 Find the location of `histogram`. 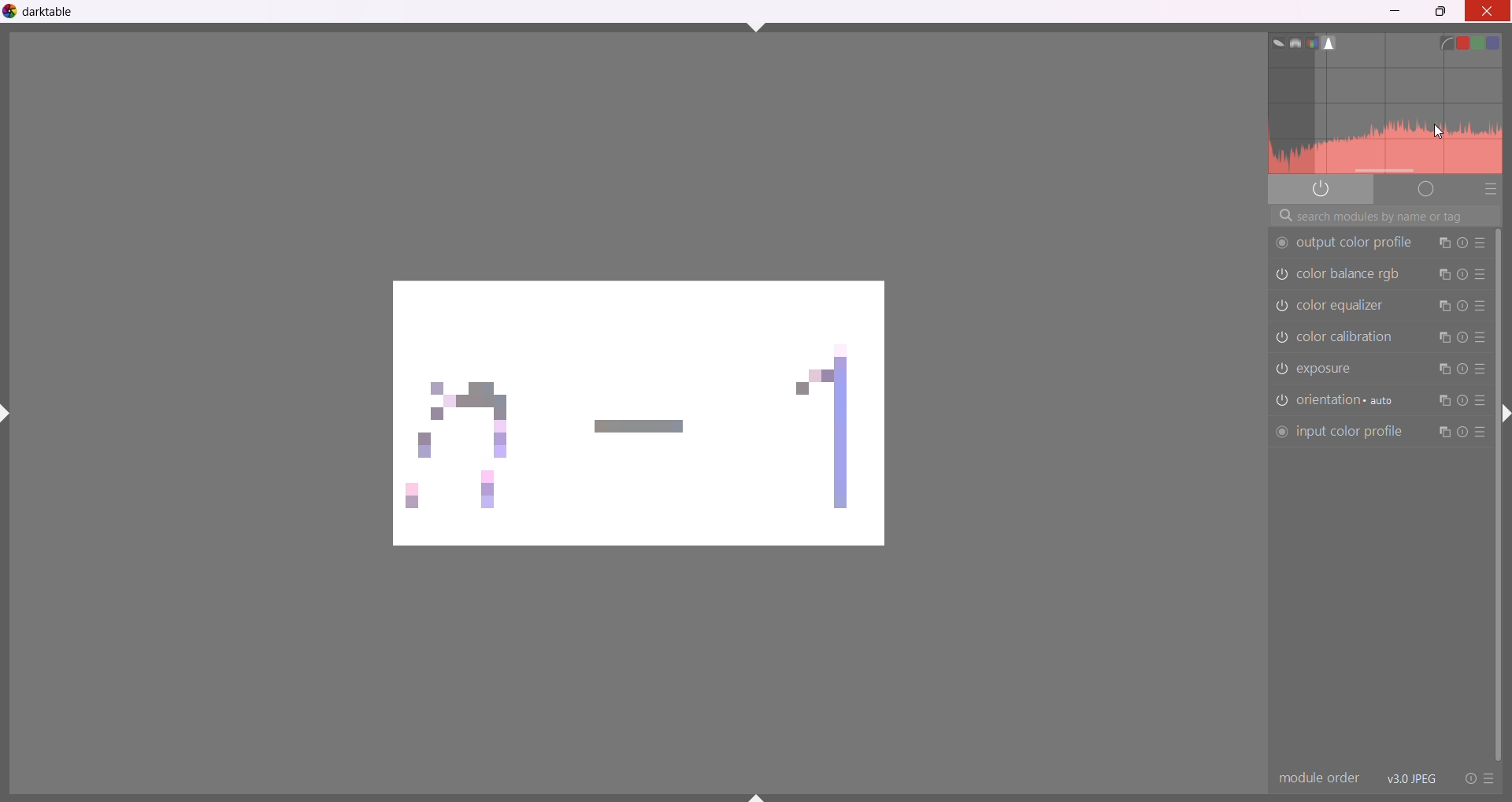

histogram is located at coordinates (1386, 100).